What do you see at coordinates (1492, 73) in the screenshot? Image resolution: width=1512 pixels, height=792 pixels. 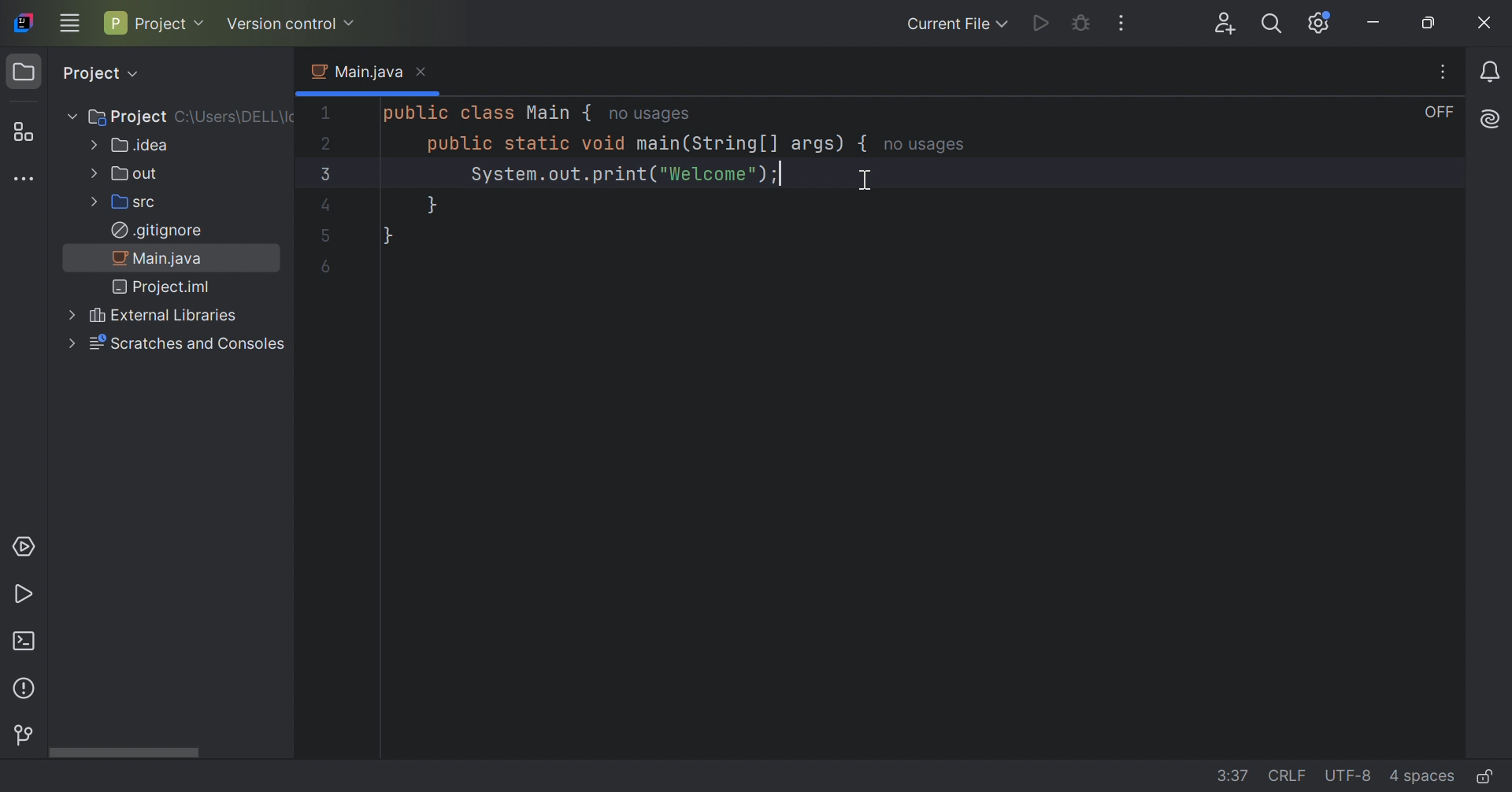 I see `Notifications` at bounding box center [1492, 73].